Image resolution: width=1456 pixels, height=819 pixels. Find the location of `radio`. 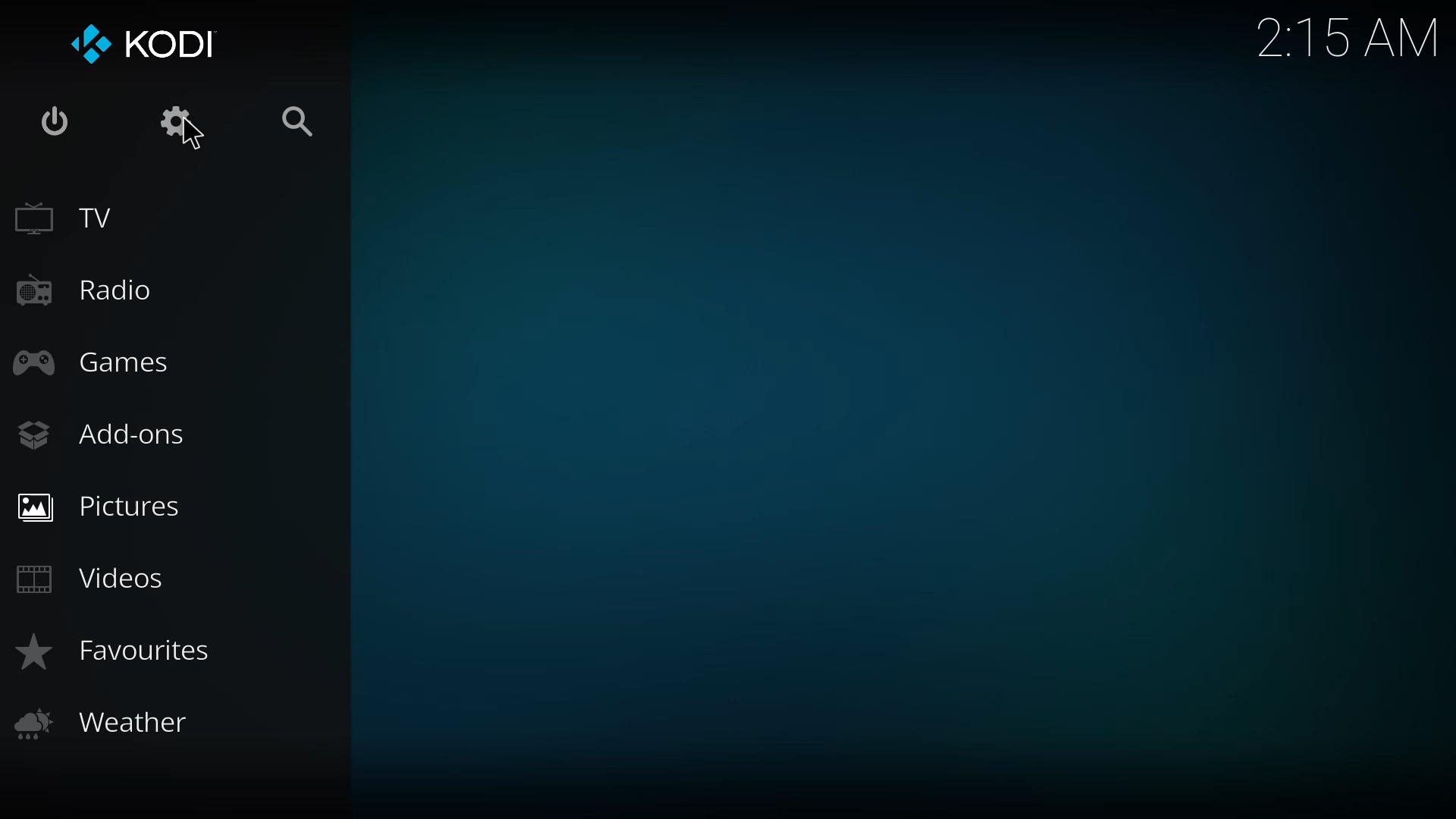

radio is located at coordinates (89, 287).